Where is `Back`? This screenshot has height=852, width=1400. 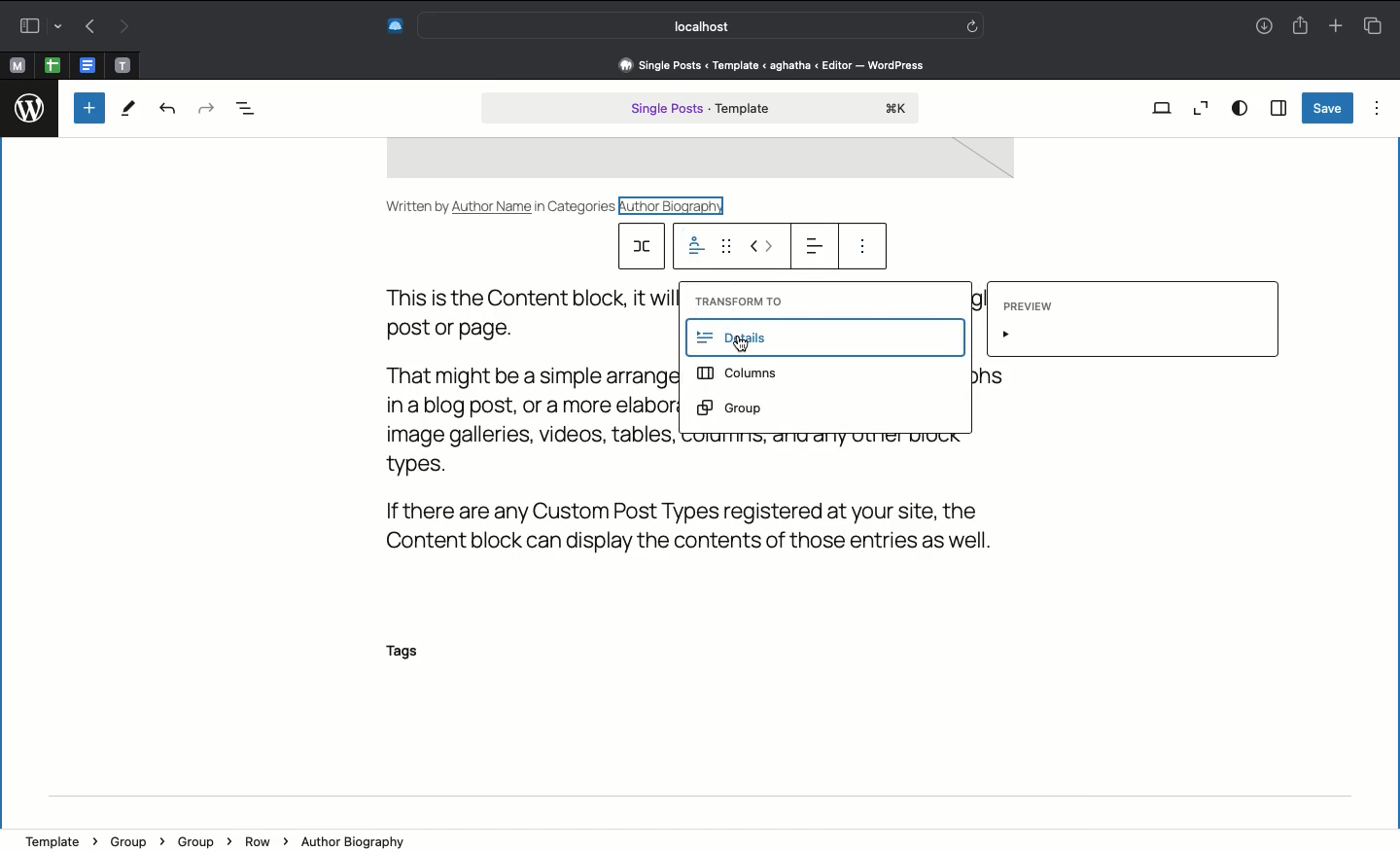
Back is located at coordinates (89, 27).